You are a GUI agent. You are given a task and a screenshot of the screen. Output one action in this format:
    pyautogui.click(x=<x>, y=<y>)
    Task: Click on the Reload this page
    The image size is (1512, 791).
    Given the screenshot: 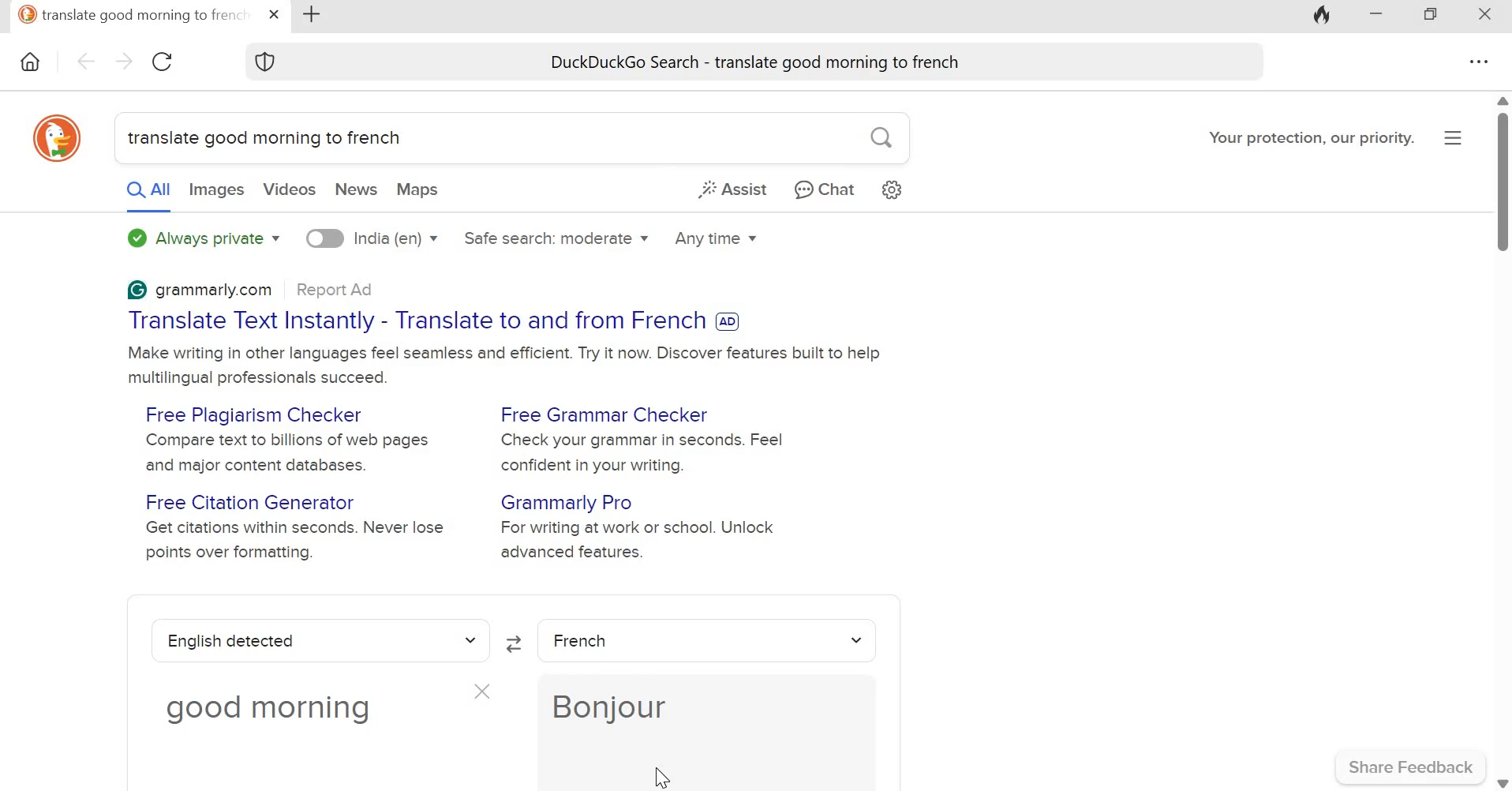 What is the action you would take?
    pyautogui.click(x=162, y=63)
    